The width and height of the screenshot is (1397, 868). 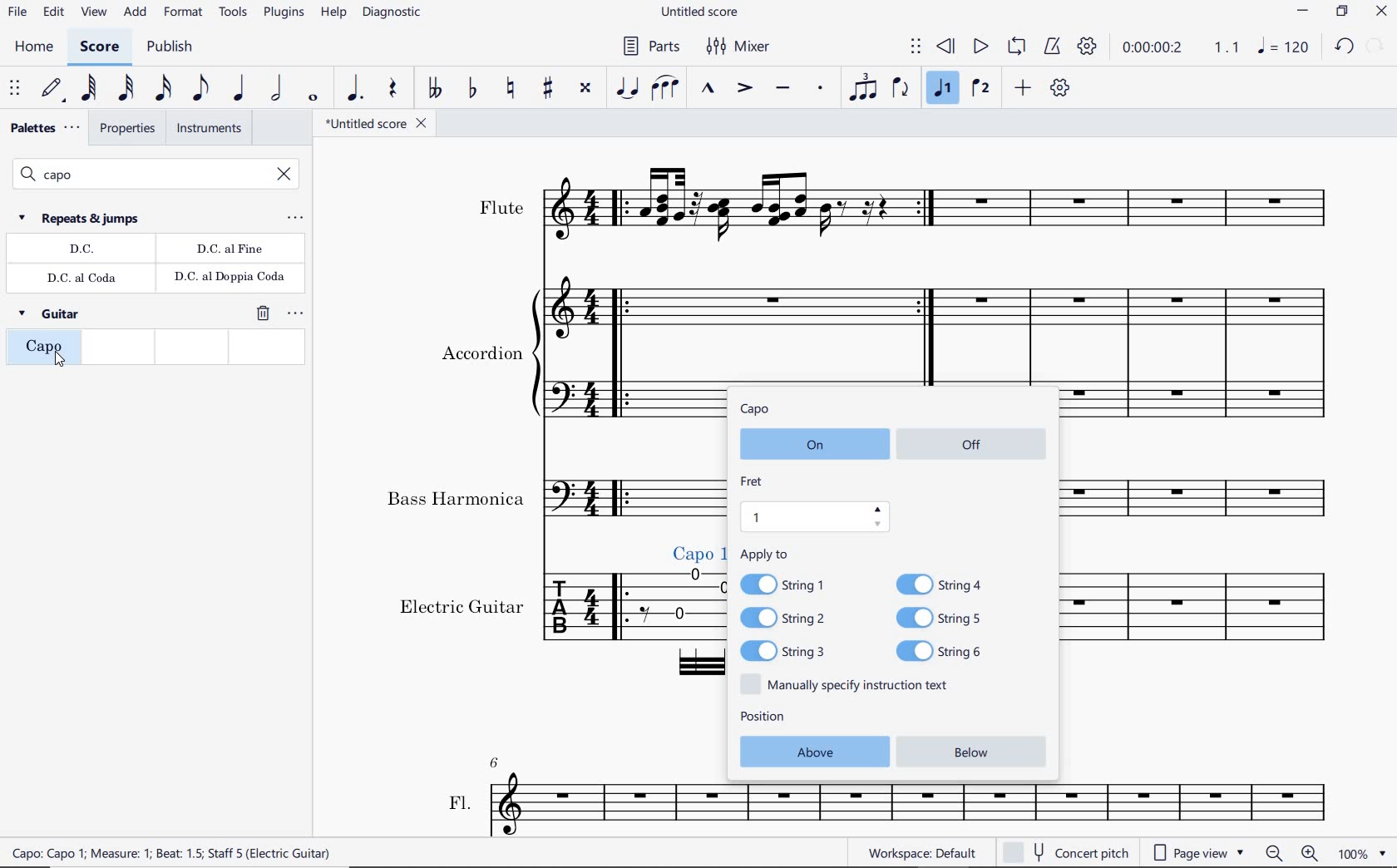 What do you see at coordinates (61, 361) in the screenshot?
I see `cursor` at bounding box center [61, 361].